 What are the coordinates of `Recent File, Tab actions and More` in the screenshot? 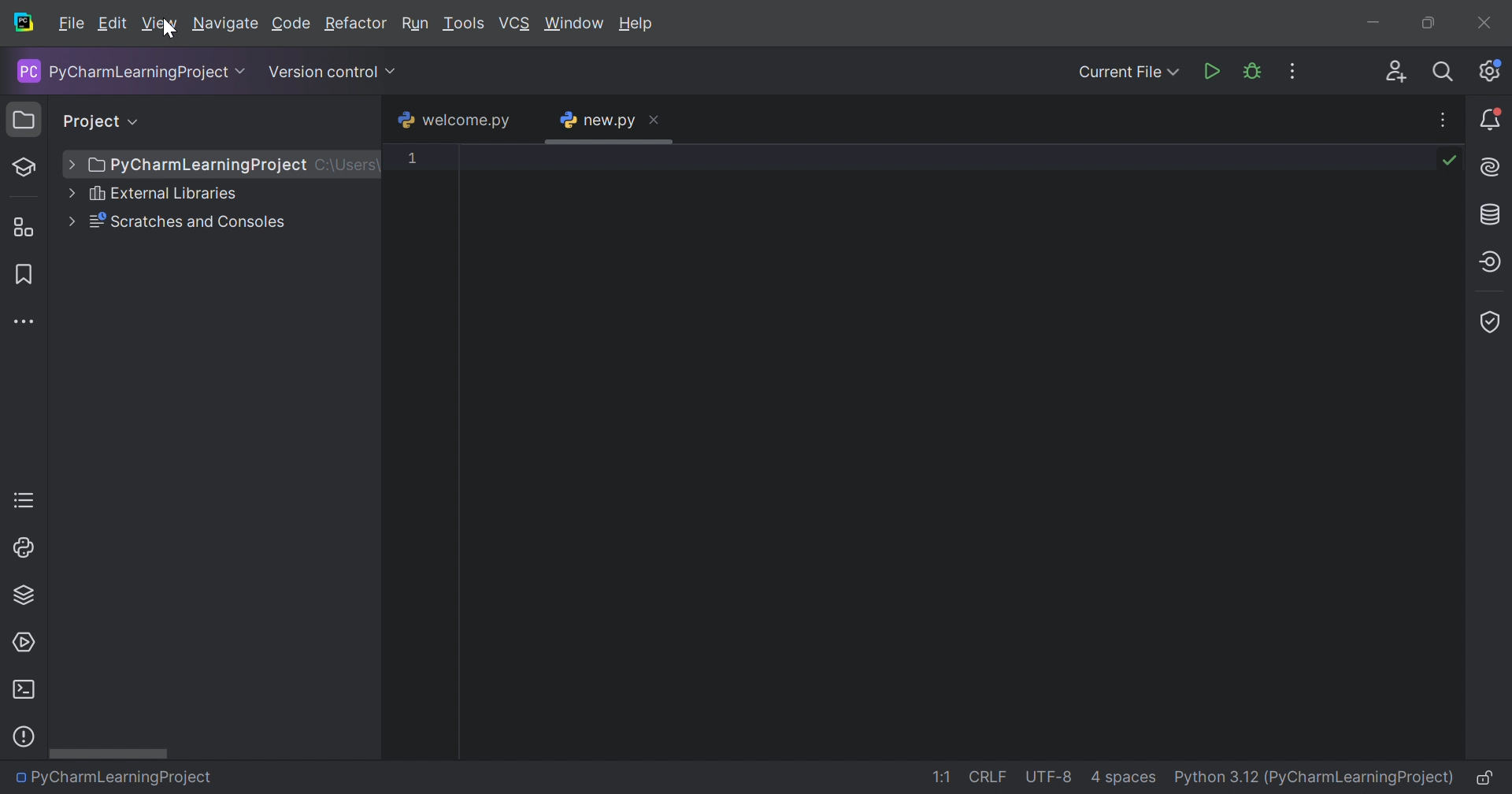 It's located at (1443, 117).